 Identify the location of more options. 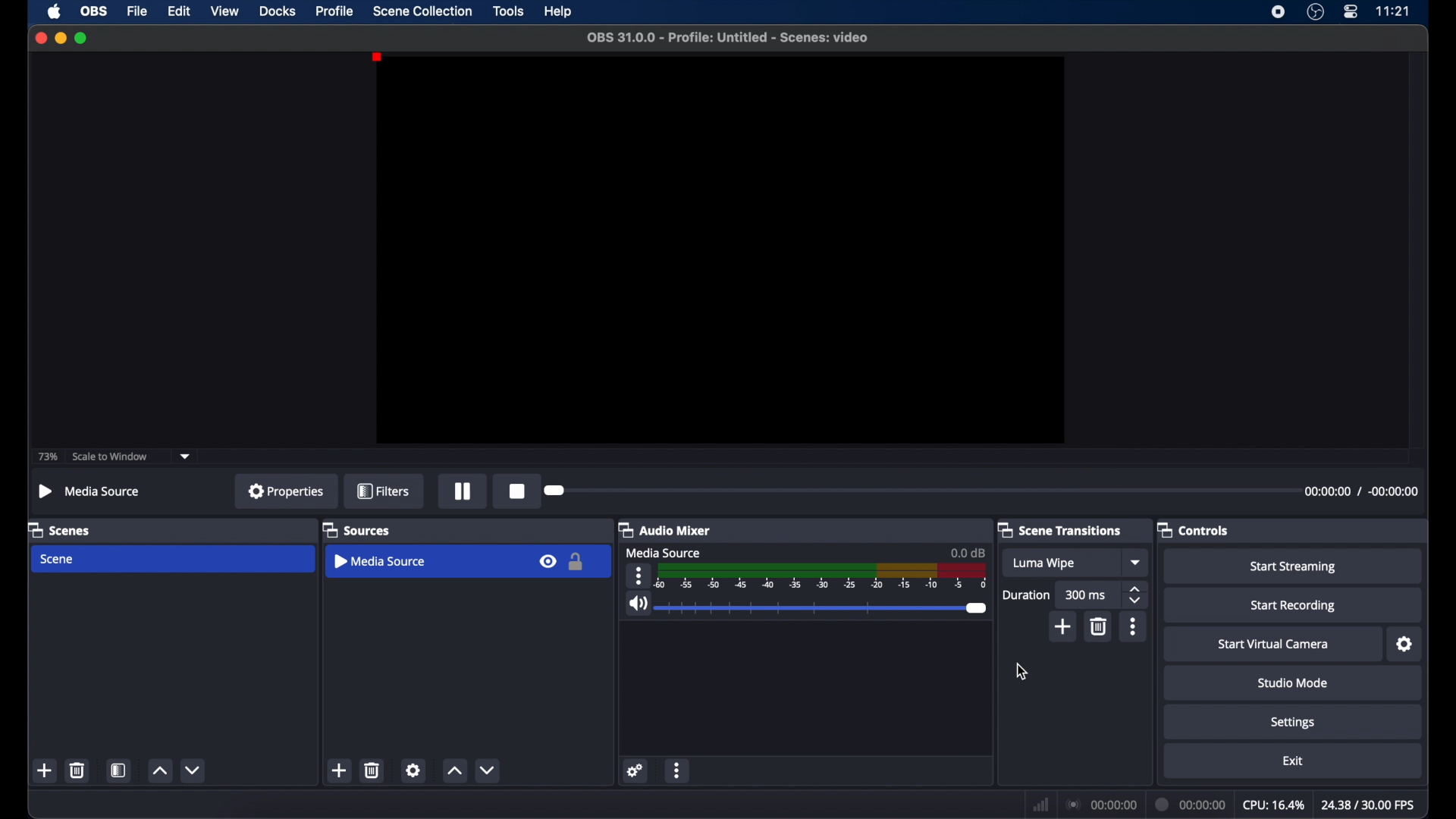
(639, 576).